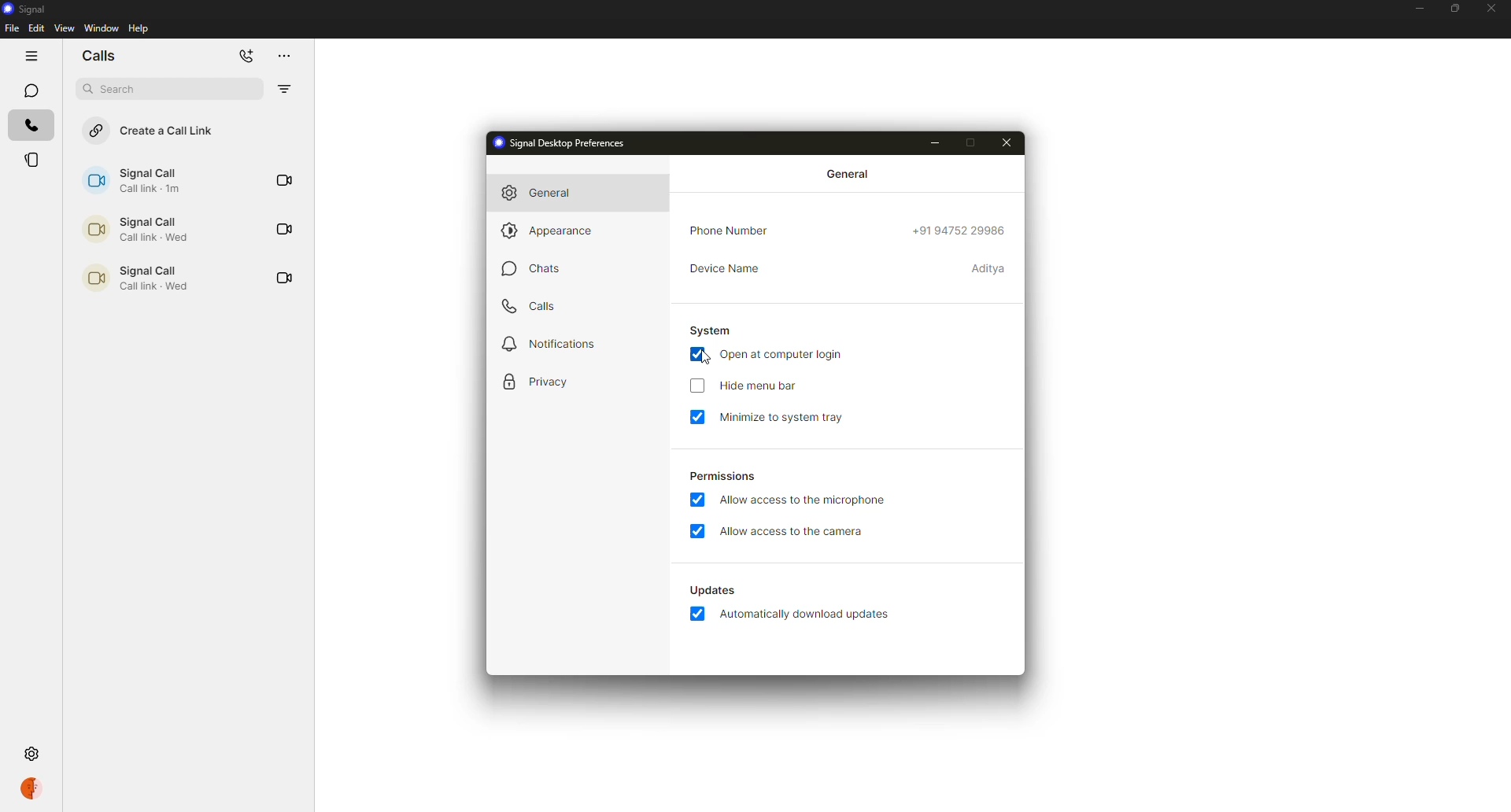  Describe the element at coordinates (283, 229) in the screenshot. I see `video` at that location.